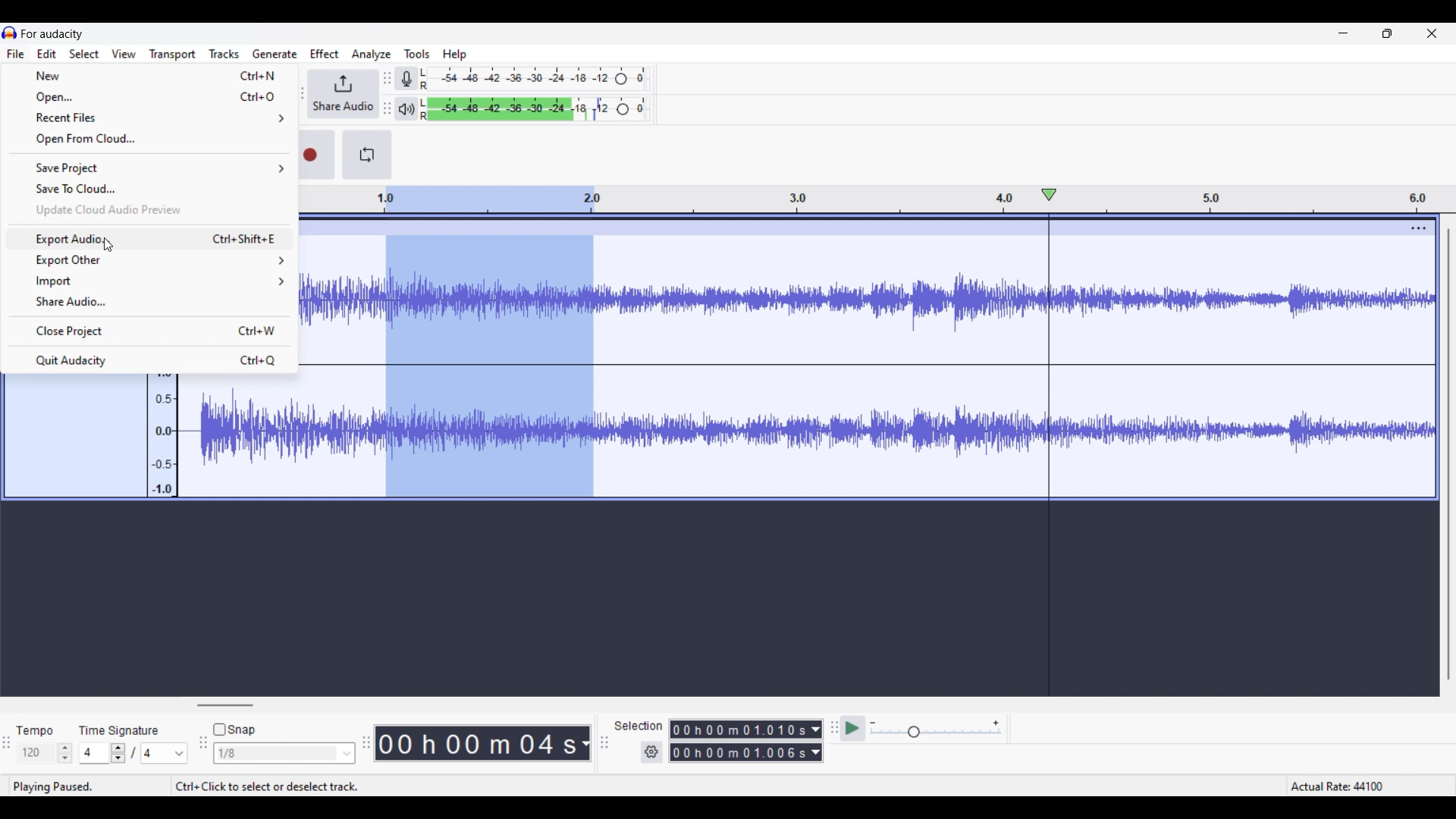  I want to click on Minimize, so click(1344, 33).